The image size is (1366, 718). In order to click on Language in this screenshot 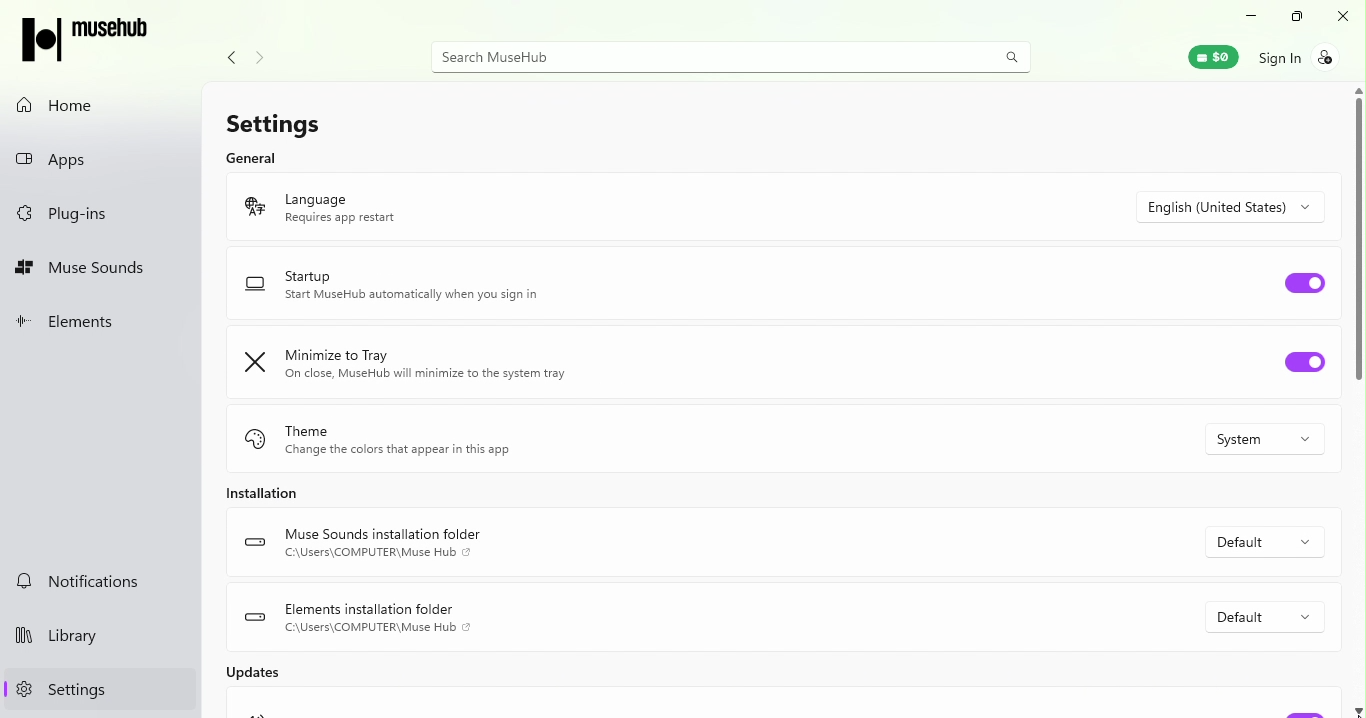, I will do `click(341, 204)`.